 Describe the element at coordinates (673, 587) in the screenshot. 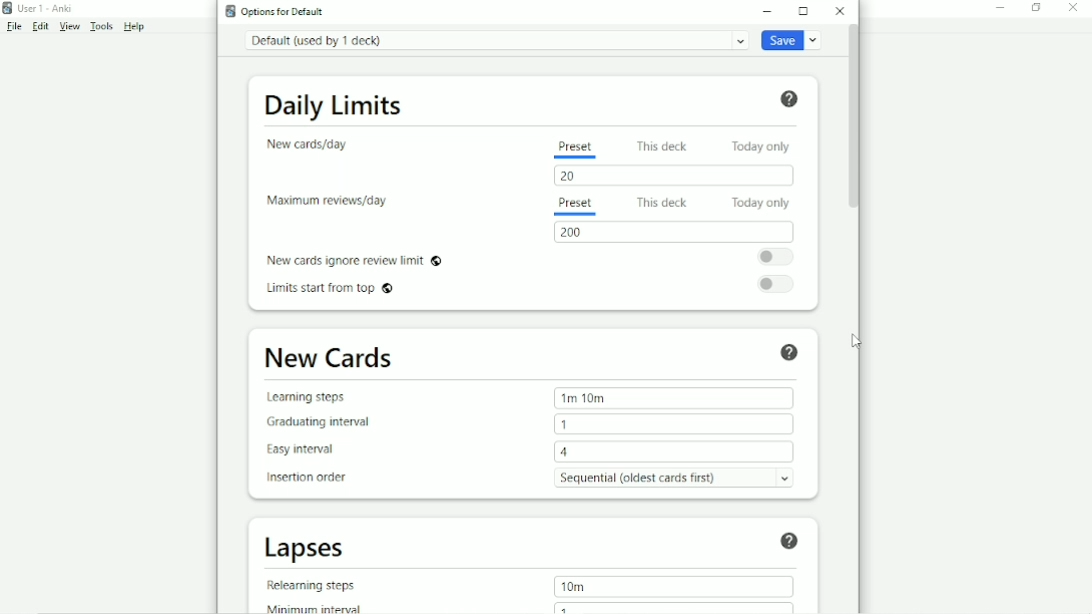

I see `10m` at that location.